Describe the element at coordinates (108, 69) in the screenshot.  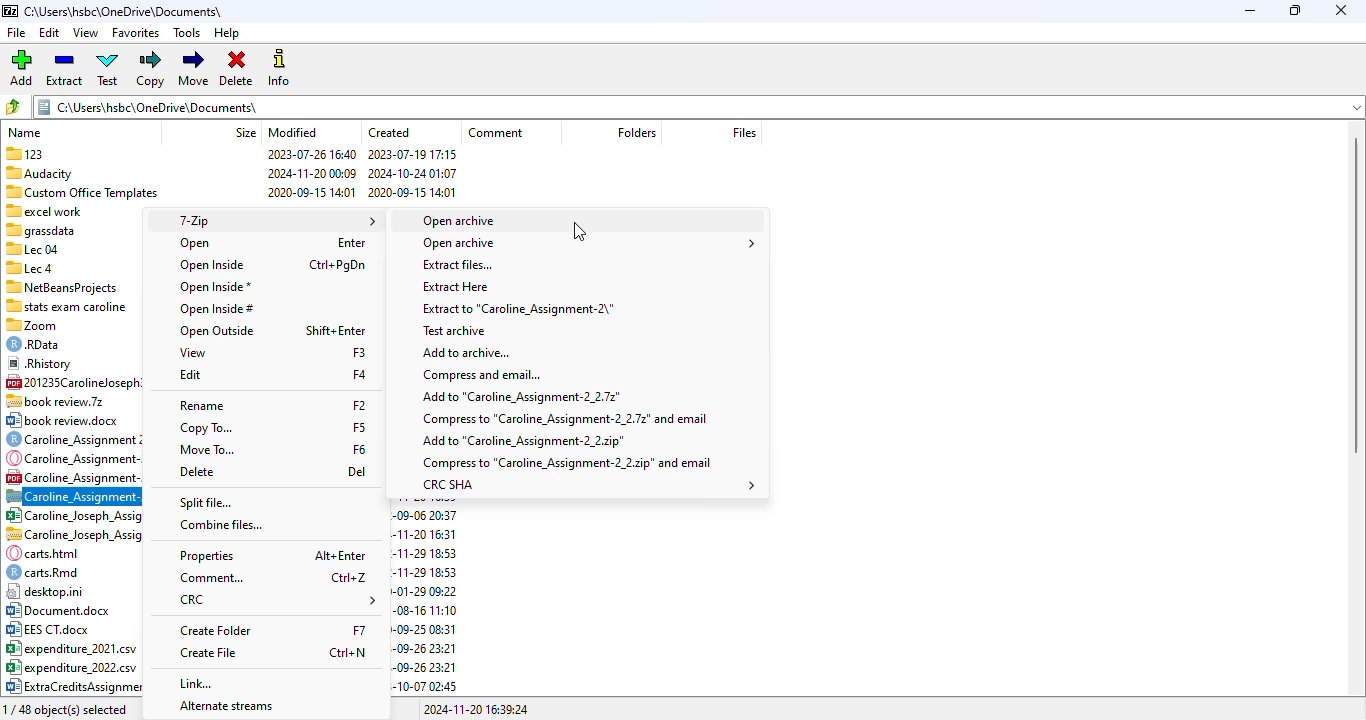
I see `test` at that location.